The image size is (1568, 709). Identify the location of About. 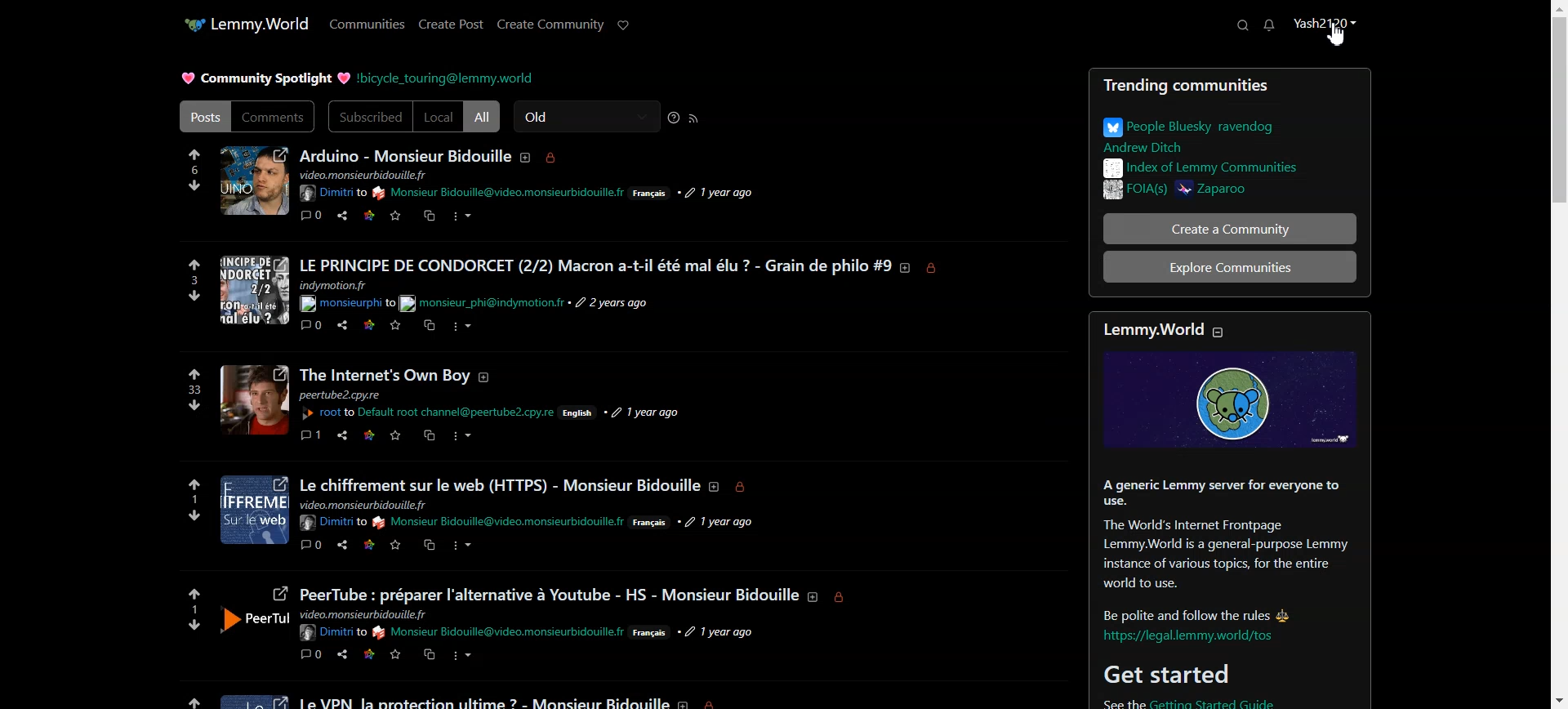
(528, 158).